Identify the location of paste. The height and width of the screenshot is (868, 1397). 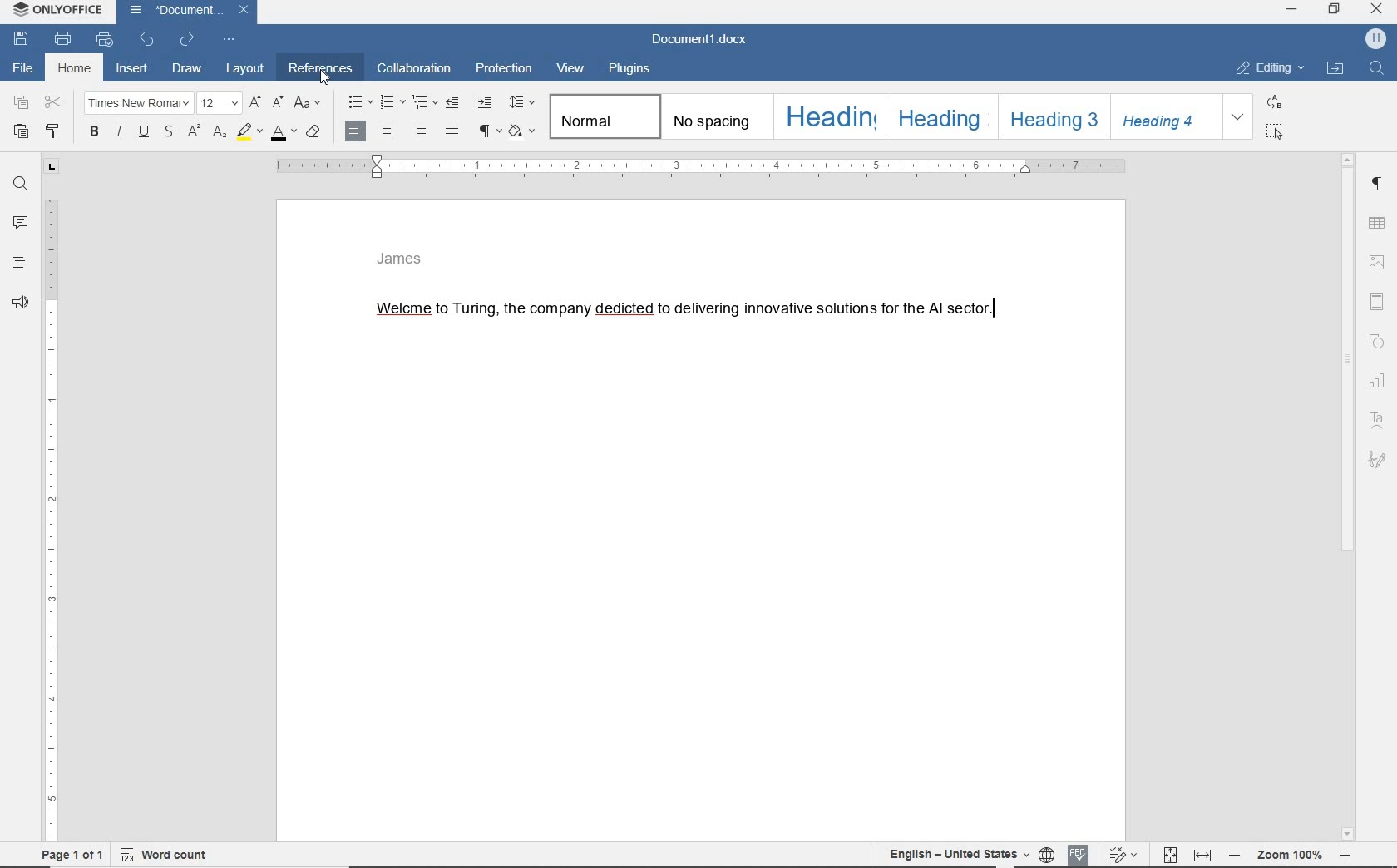
(19, 132).